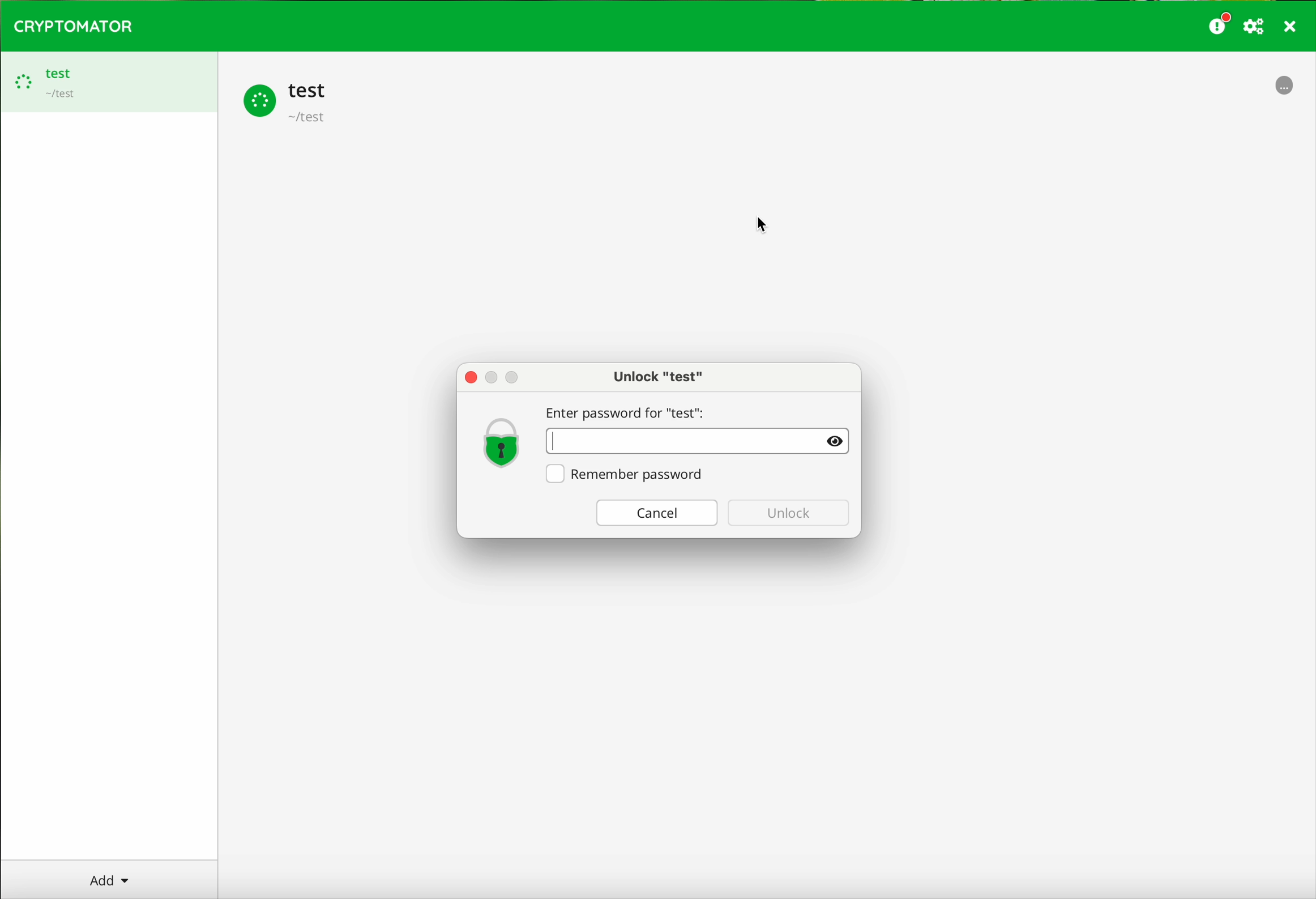 This screenshot has height=899, width=1316. Describe the element at coordinates (658, 376) in the screenshot. I see `unlock test ` at that location.